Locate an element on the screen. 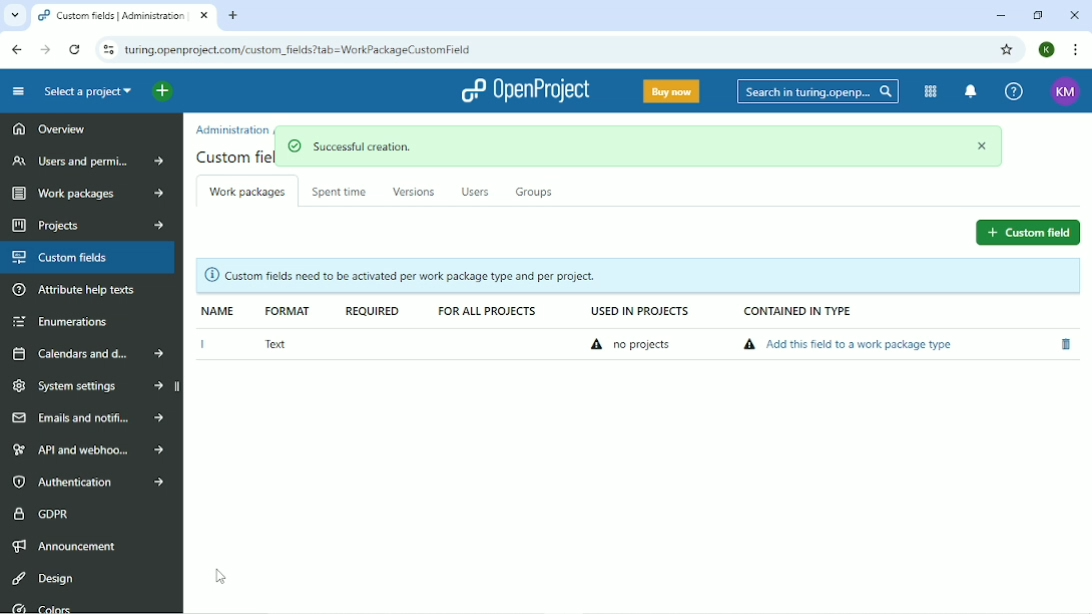  New tab is located at coordinates (235, 16).